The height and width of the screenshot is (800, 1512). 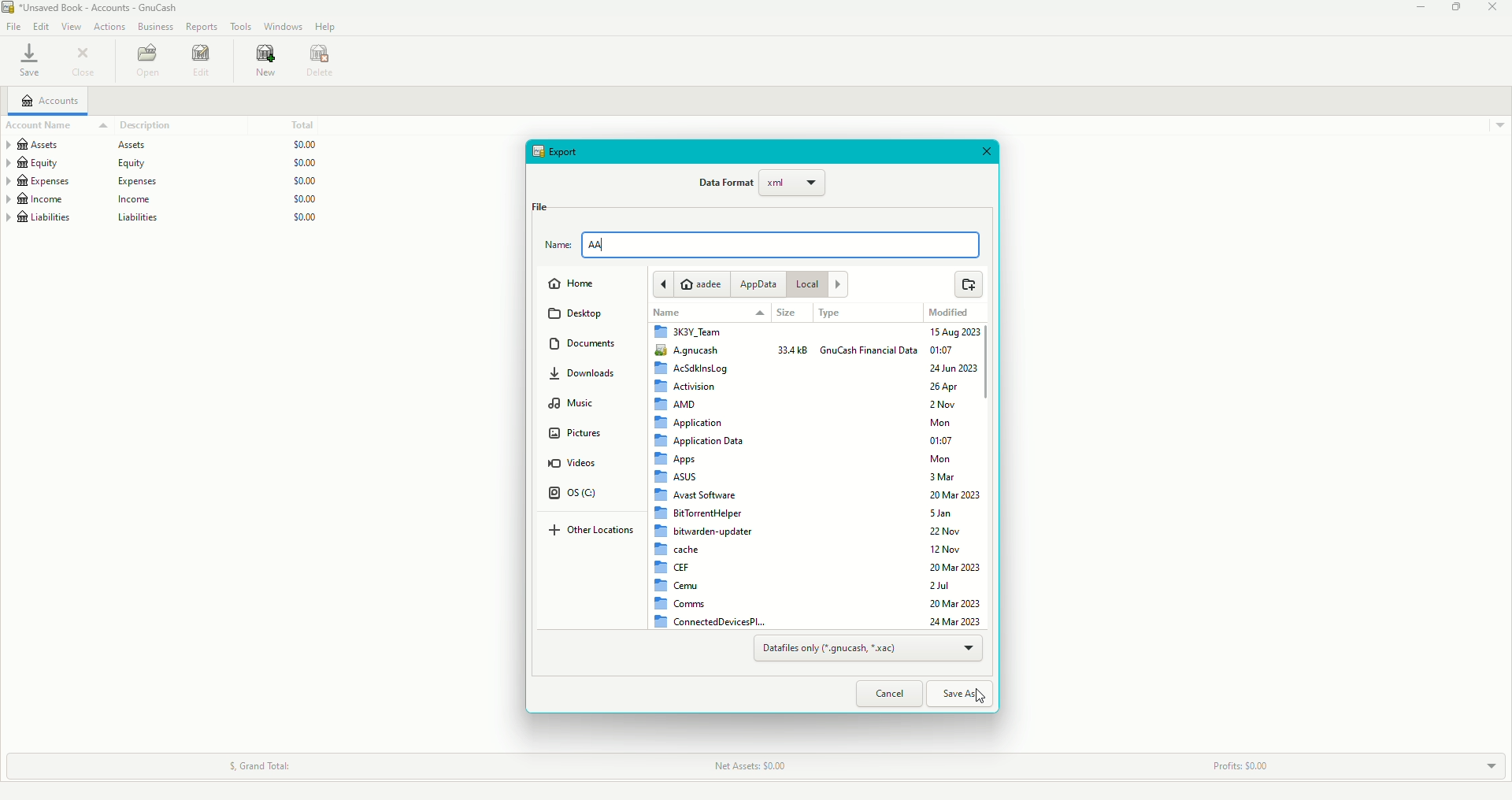 I want to click on 33.4 KB, so click(x=793, y=350).